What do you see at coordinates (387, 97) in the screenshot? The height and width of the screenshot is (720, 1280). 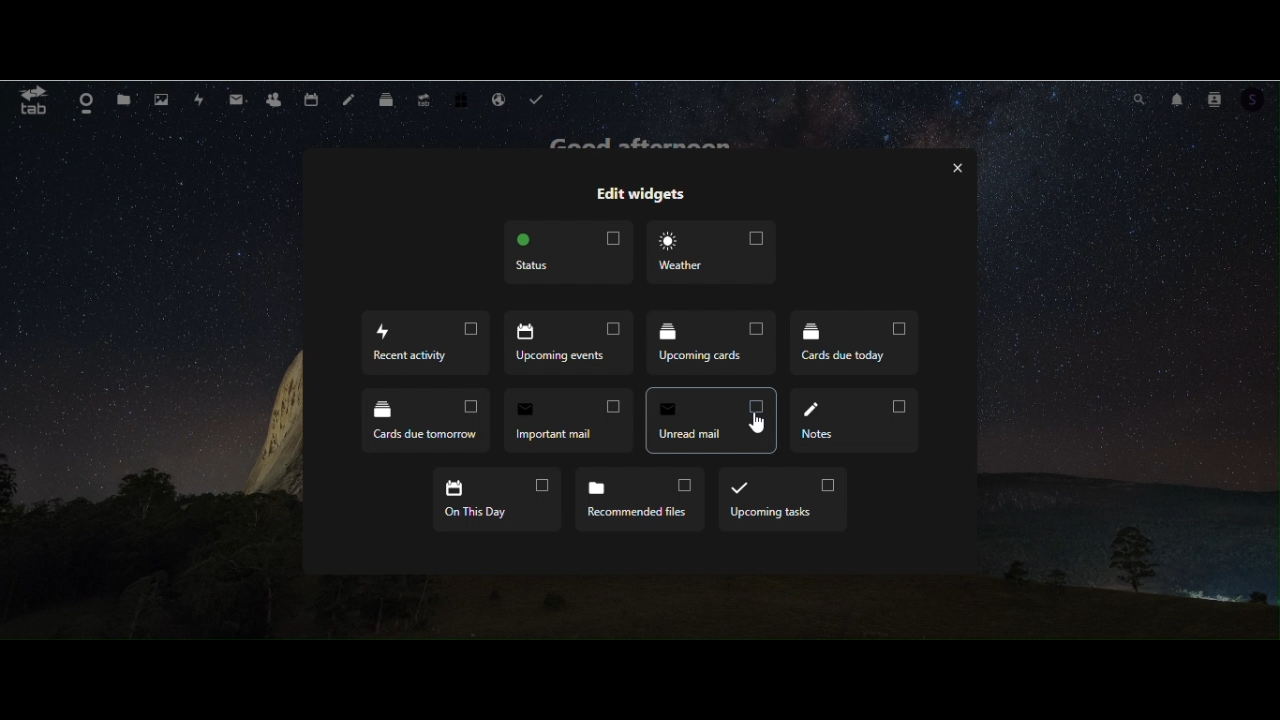 I see `deck` at bounding box center [387, 97].